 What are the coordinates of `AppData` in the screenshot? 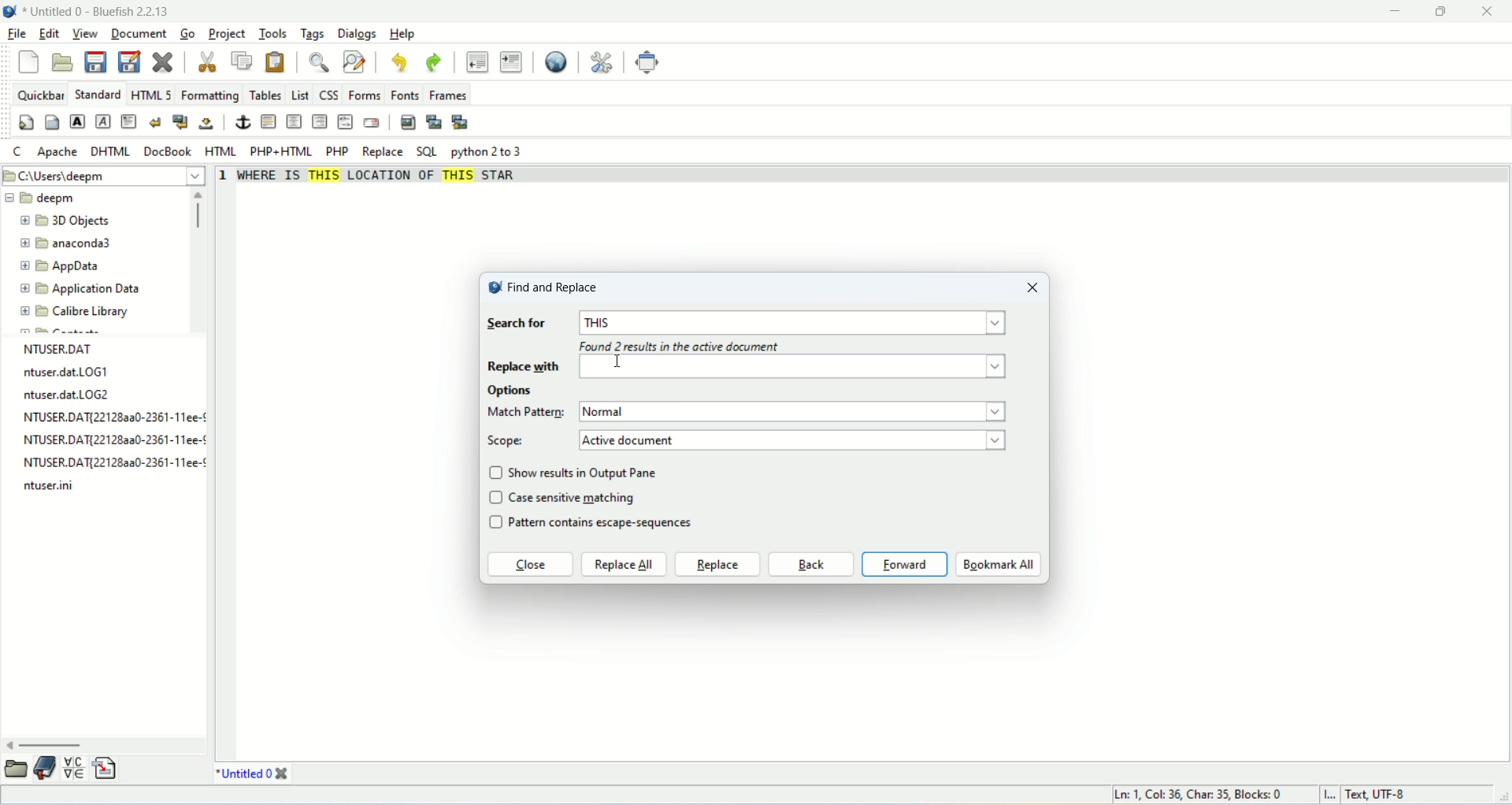 It's located at (62, 265).